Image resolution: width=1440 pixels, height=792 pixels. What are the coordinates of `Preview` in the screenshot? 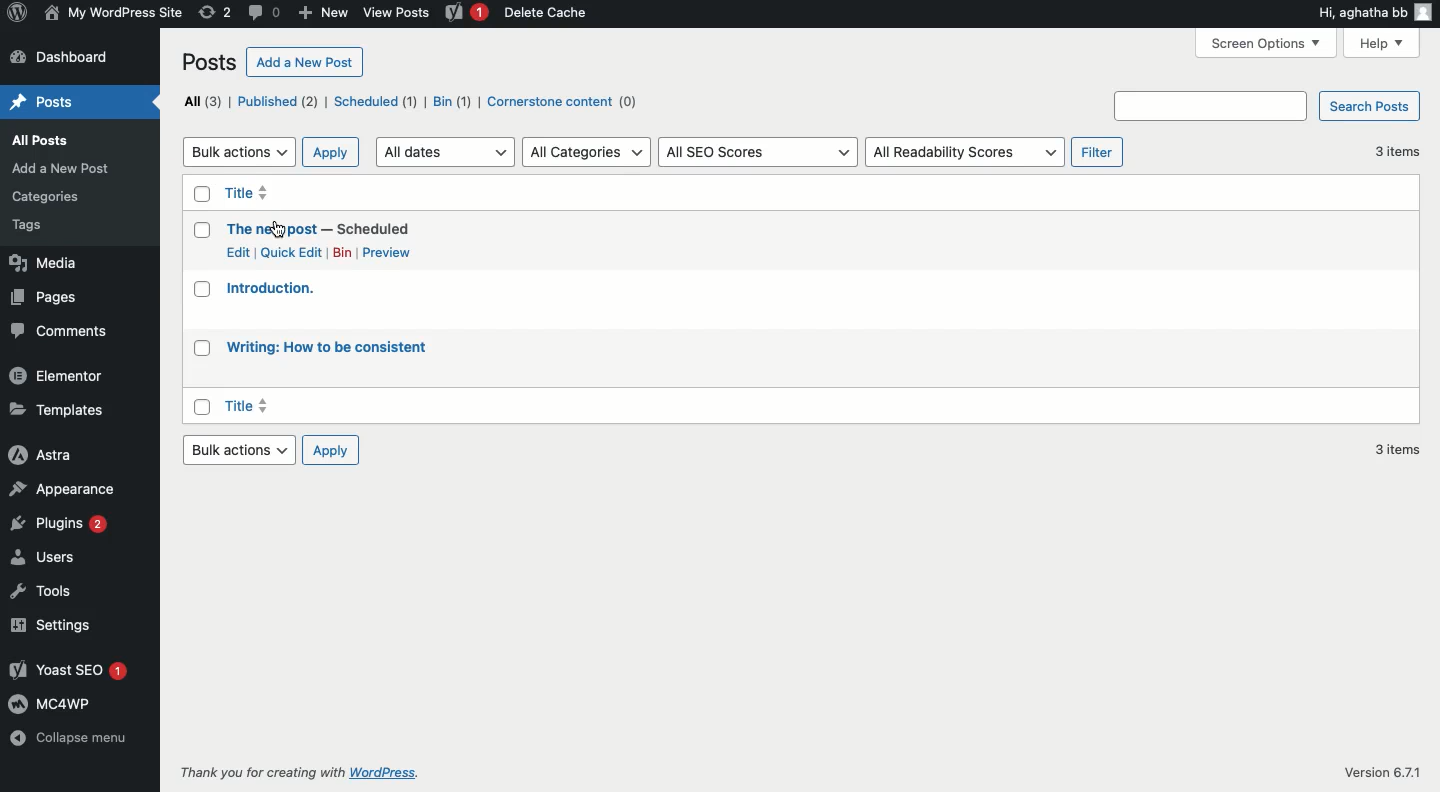 It's located at (396, 253).